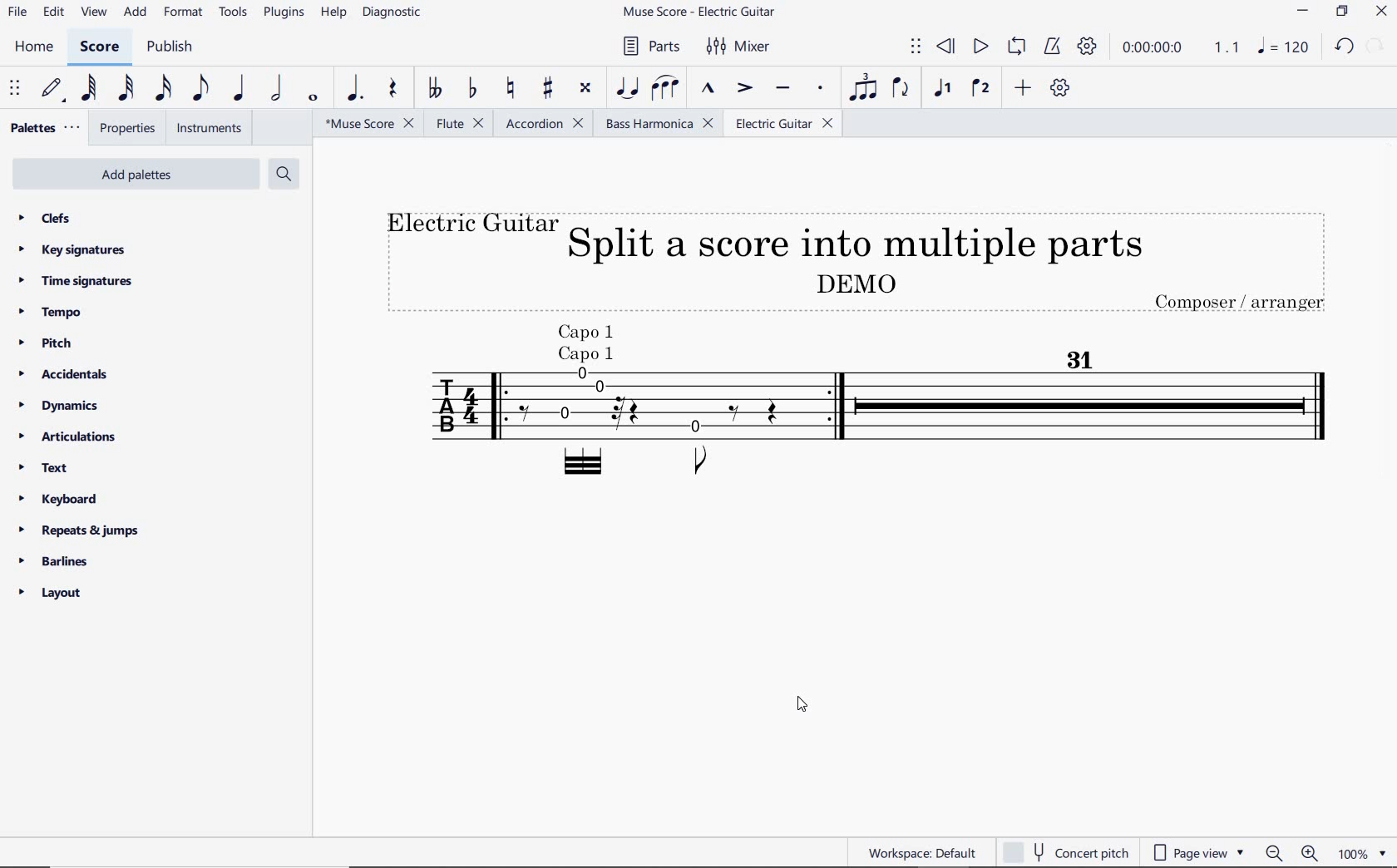 The height and width of the screenshot is (868, 1397). What do you see at coordinates (312, 96) in the screenshot?
I see `whole note` at bounding box center [312, 96].